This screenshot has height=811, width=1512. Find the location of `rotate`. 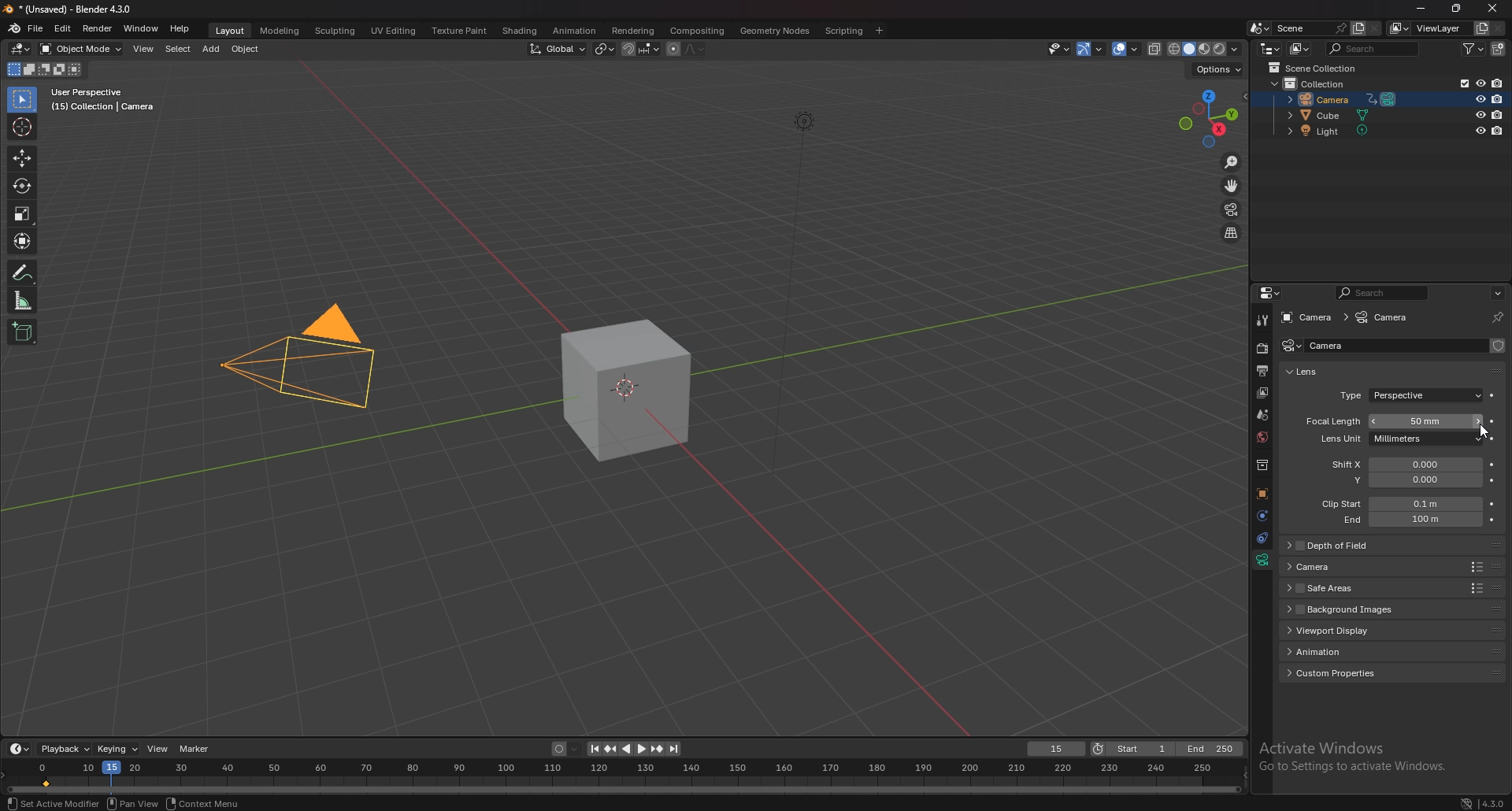

rotate is located at coordinates (21, 187).